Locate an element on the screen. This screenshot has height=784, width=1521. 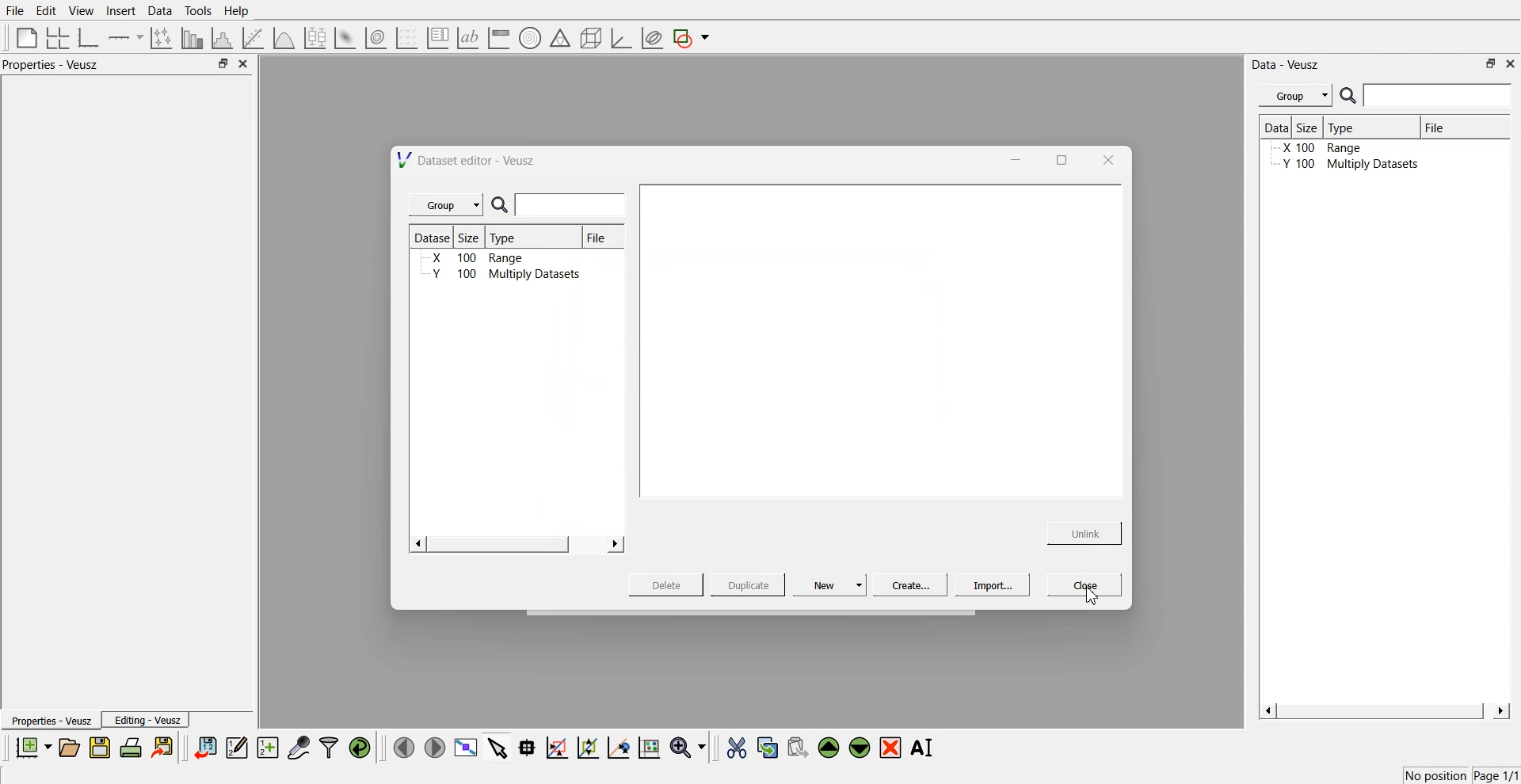
new documents is located at coordinates (32, 747).